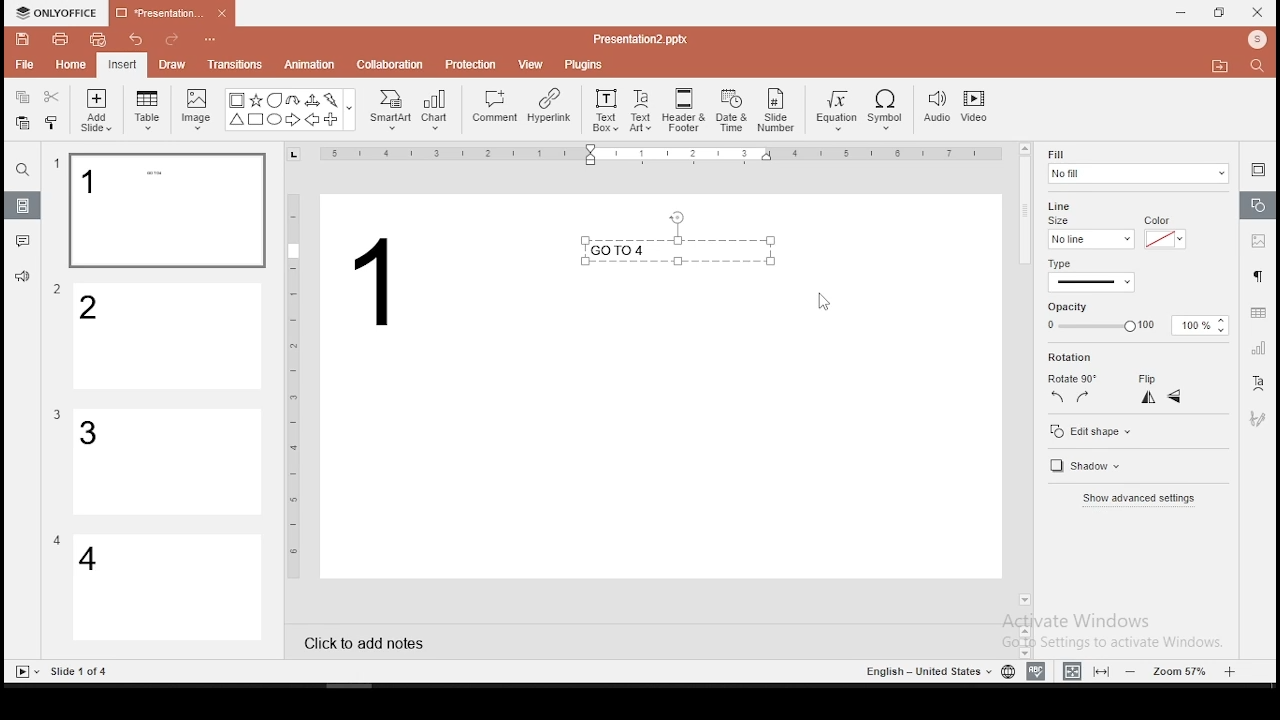  I want to click on slide 3, so click(165, 462).